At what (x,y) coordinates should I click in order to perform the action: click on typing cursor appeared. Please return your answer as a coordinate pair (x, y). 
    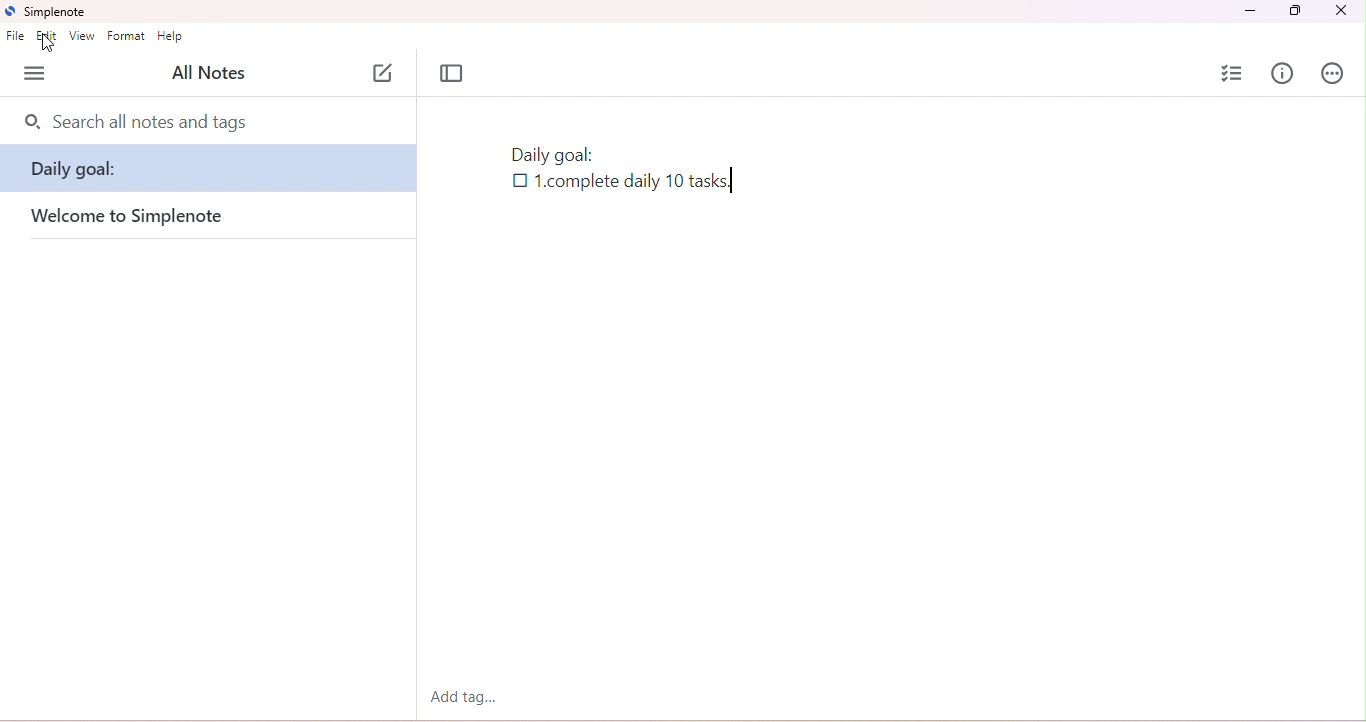
    Looking at the image, I should click on (734, 181).